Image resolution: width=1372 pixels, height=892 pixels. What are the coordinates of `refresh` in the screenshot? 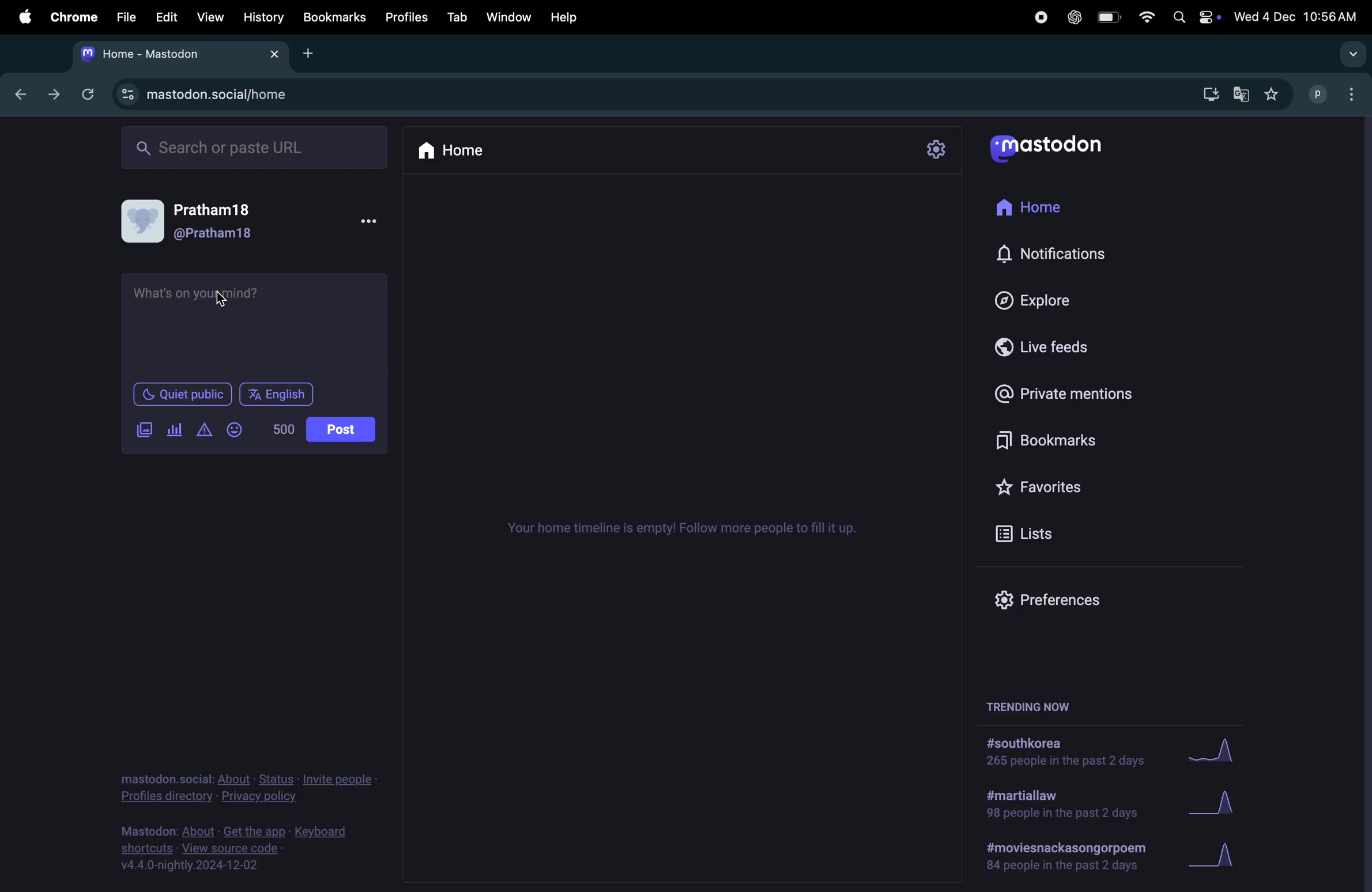 It's located at (91, 92).